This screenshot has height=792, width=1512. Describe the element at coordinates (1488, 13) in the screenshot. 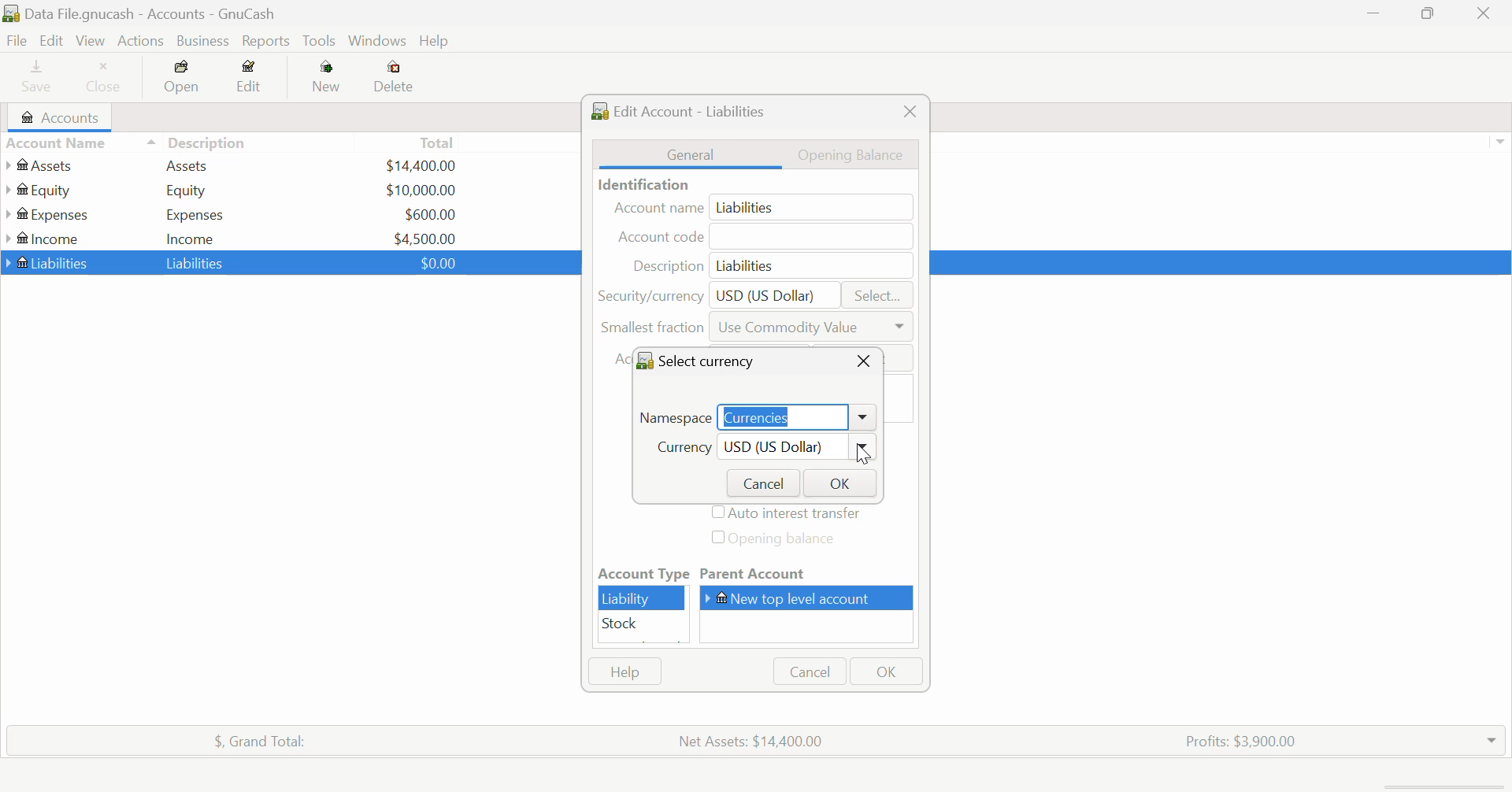

I see `Close Window` at that location.